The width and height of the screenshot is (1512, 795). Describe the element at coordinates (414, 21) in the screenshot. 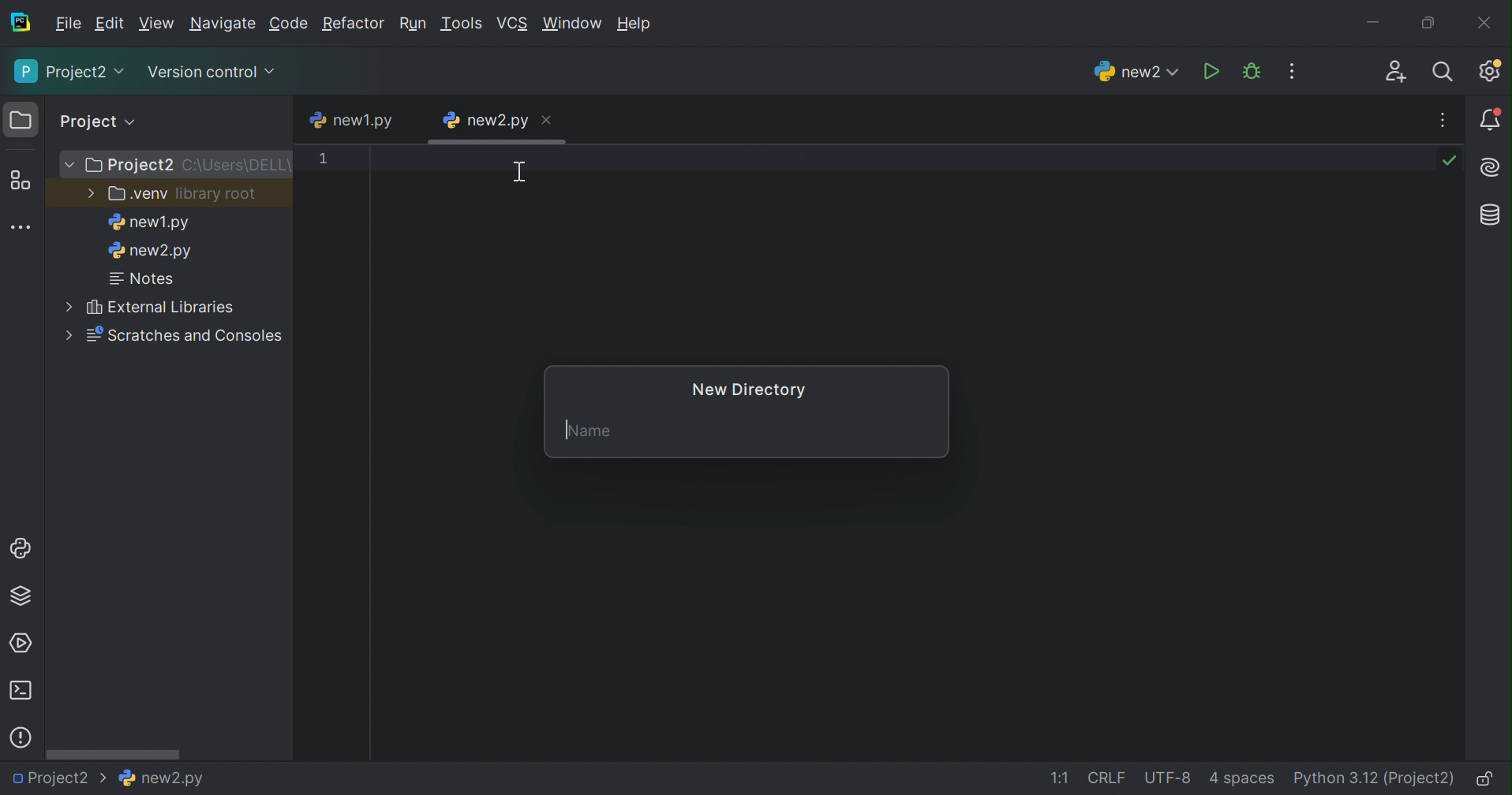

I see `Run` at that location.